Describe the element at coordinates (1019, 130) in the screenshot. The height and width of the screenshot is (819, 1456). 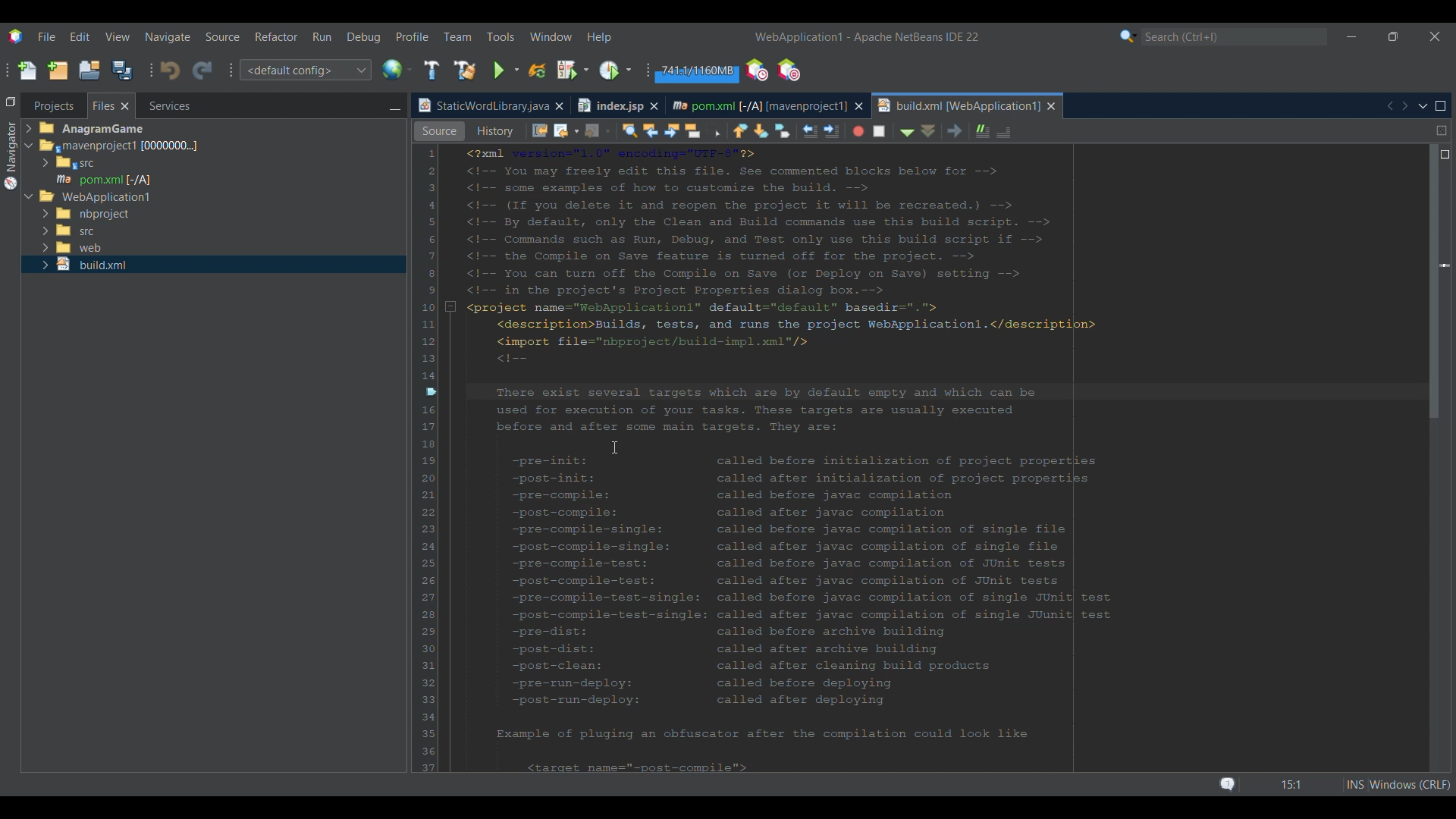
I see `Stop macro recording` at that location.